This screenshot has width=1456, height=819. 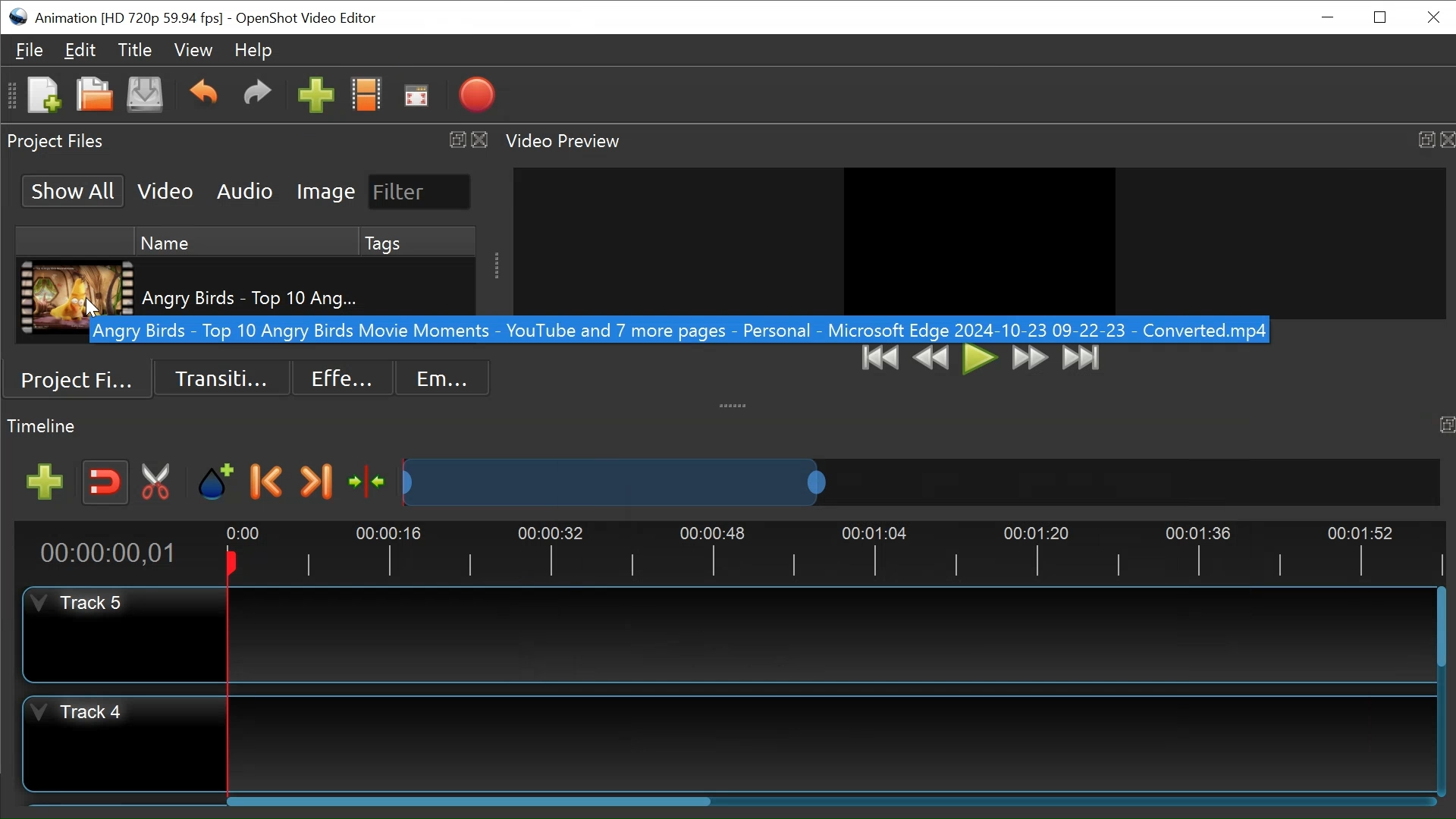 I want to click on Fullscreen, so click(x=416, y=96).